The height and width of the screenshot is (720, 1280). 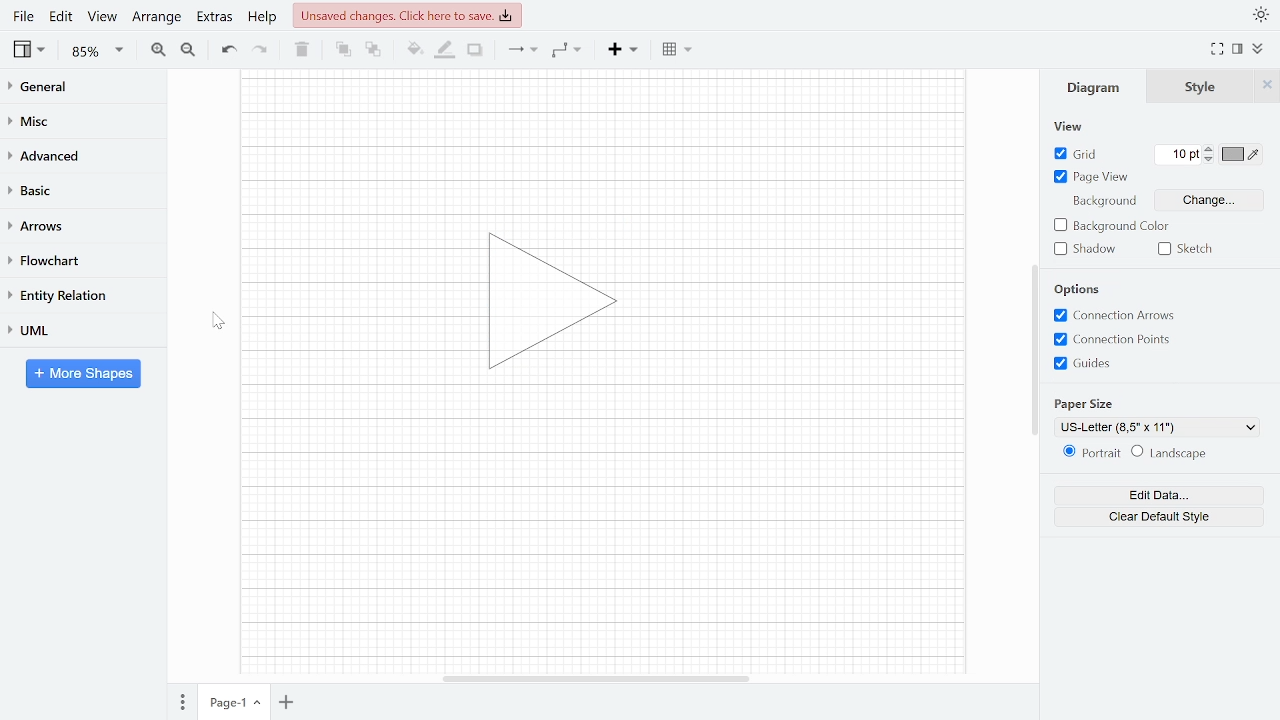 I want to click on 10pts, so click(x=1182, y=155).